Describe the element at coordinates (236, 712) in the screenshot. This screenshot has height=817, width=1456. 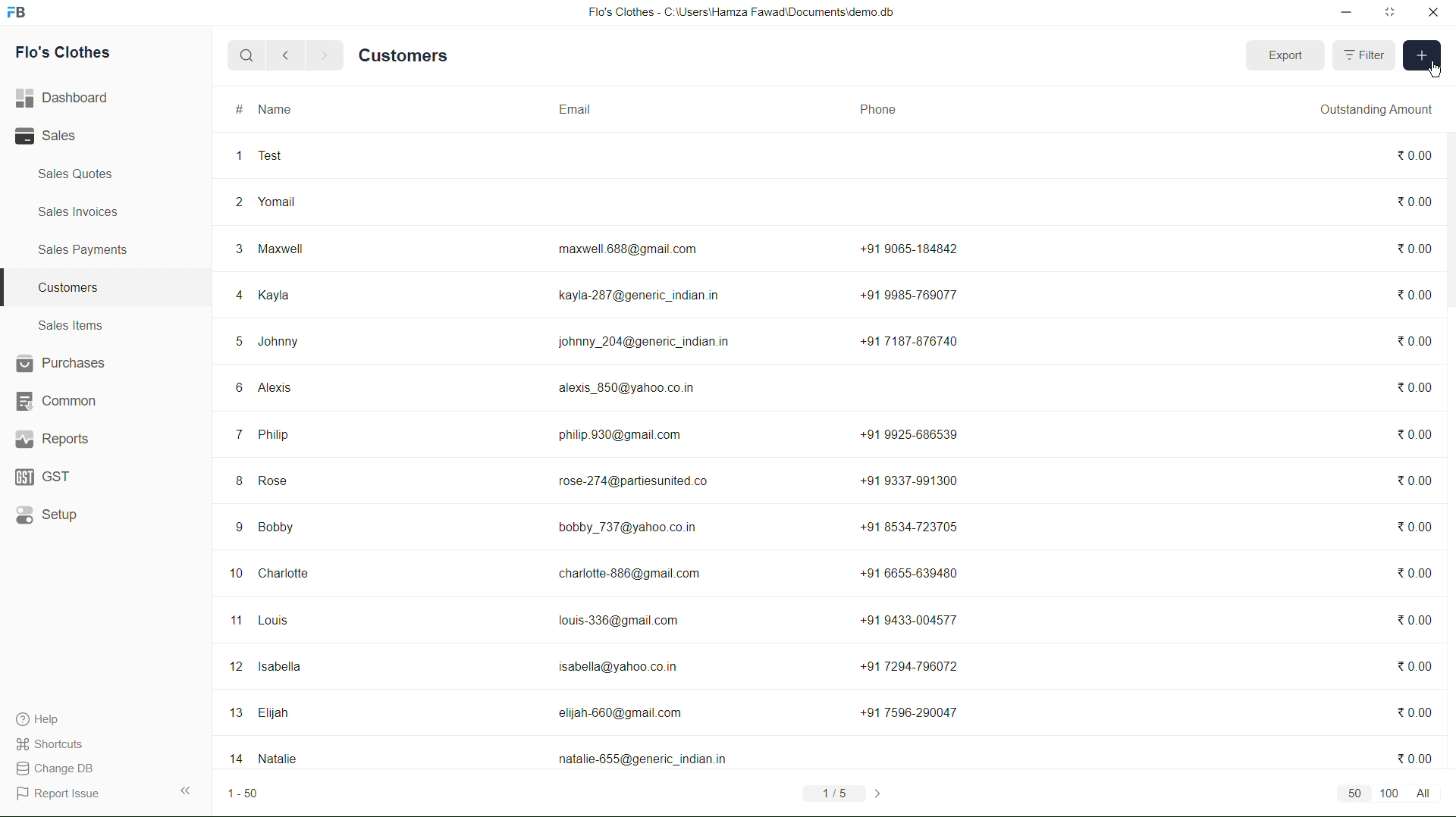
I see `13` at that location.